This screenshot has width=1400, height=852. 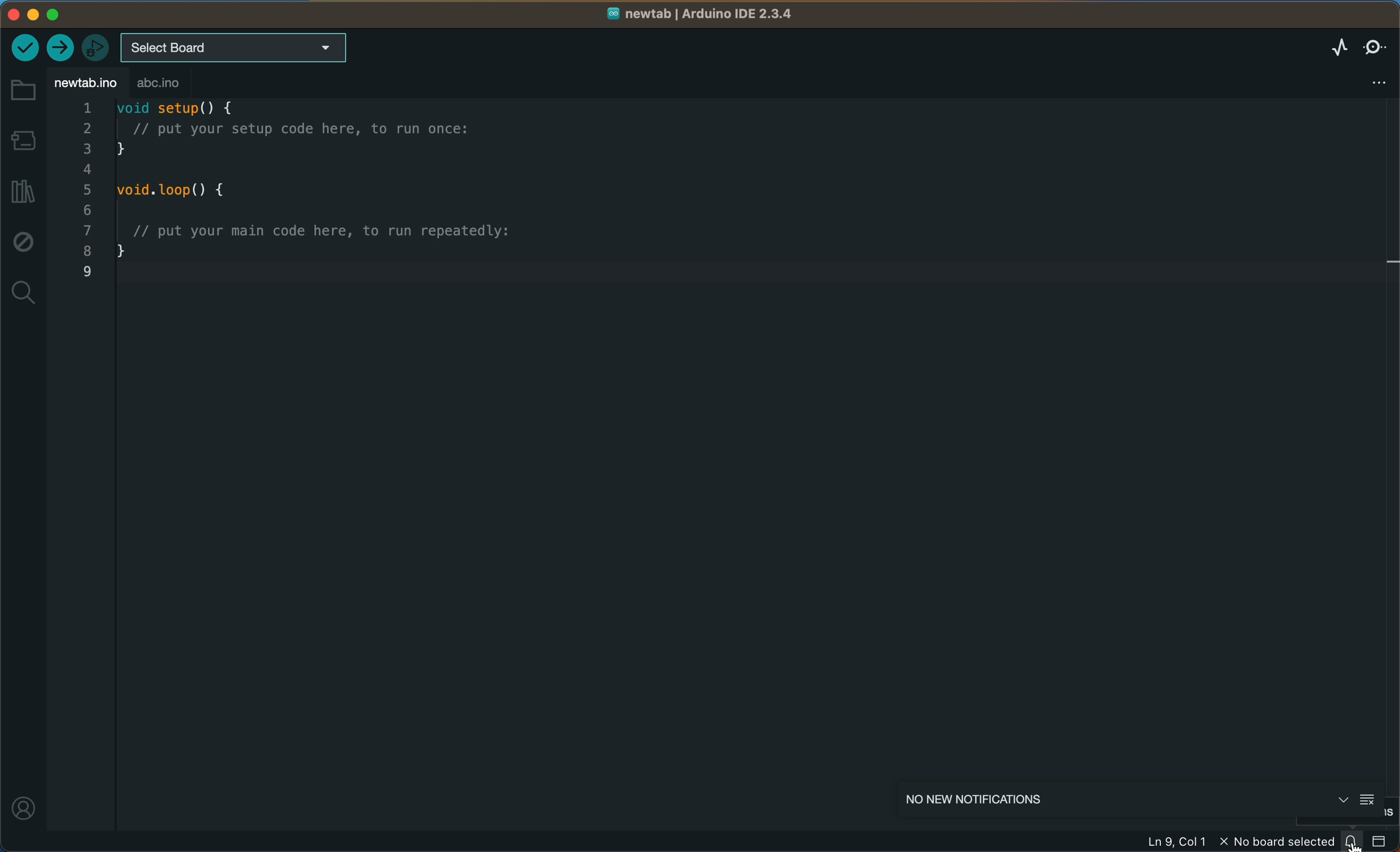 I want to click on code, so click(x=336, y=203).